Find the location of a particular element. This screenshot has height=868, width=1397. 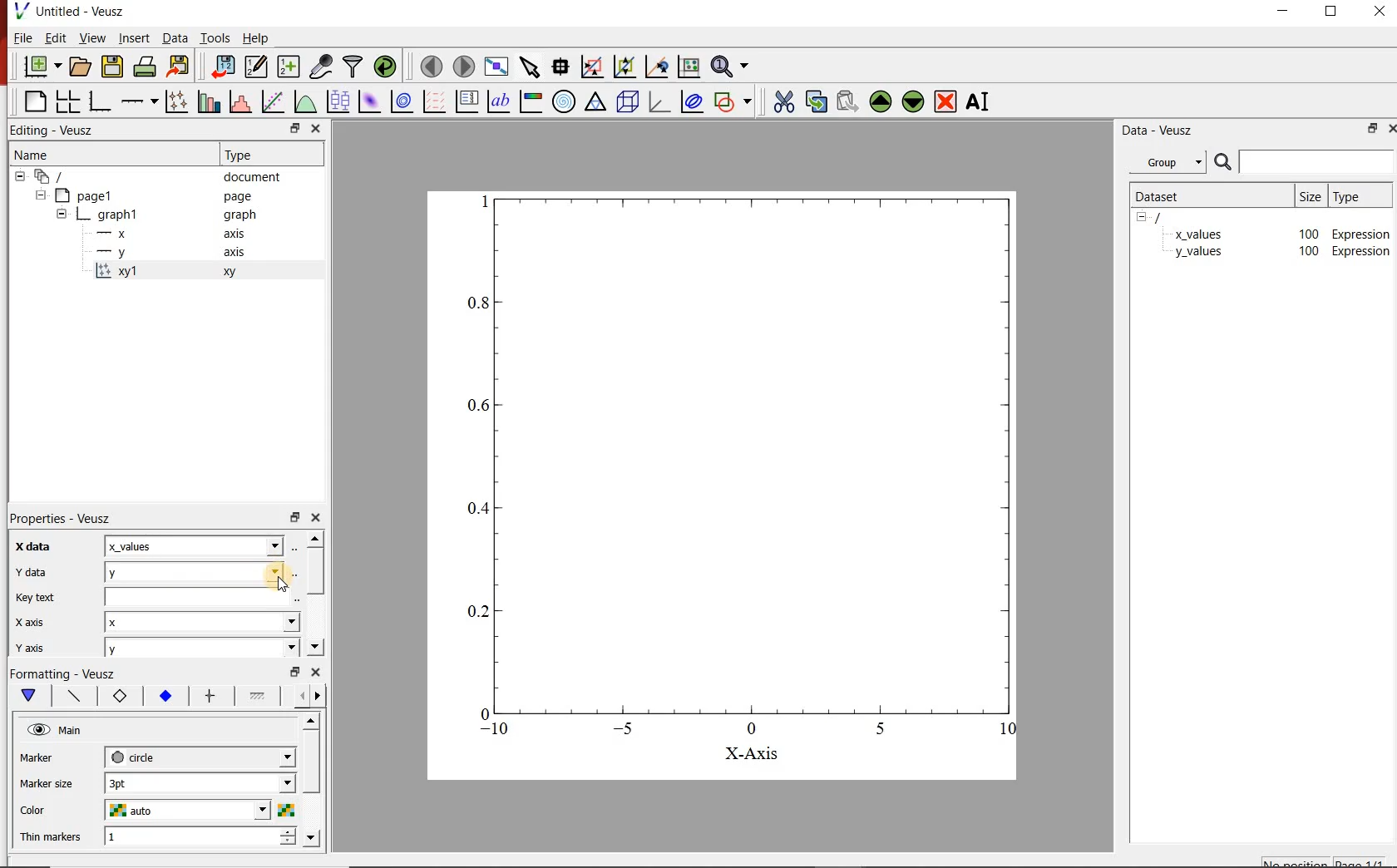

y is located at coordinates (202, 648).